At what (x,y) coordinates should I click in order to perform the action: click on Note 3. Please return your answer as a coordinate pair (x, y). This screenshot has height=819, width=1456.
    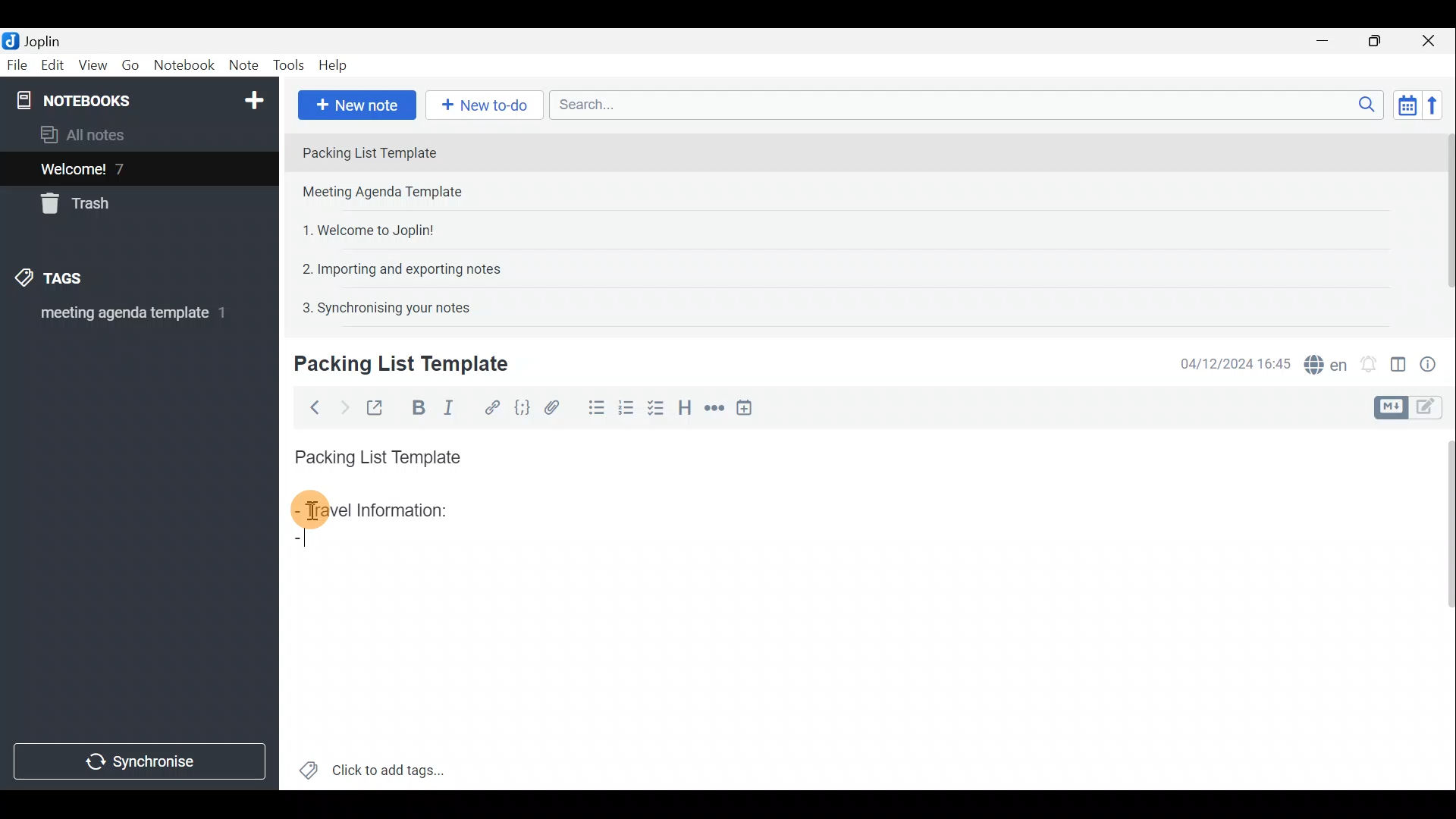
    Looking at the image, I should click on (362, 228).